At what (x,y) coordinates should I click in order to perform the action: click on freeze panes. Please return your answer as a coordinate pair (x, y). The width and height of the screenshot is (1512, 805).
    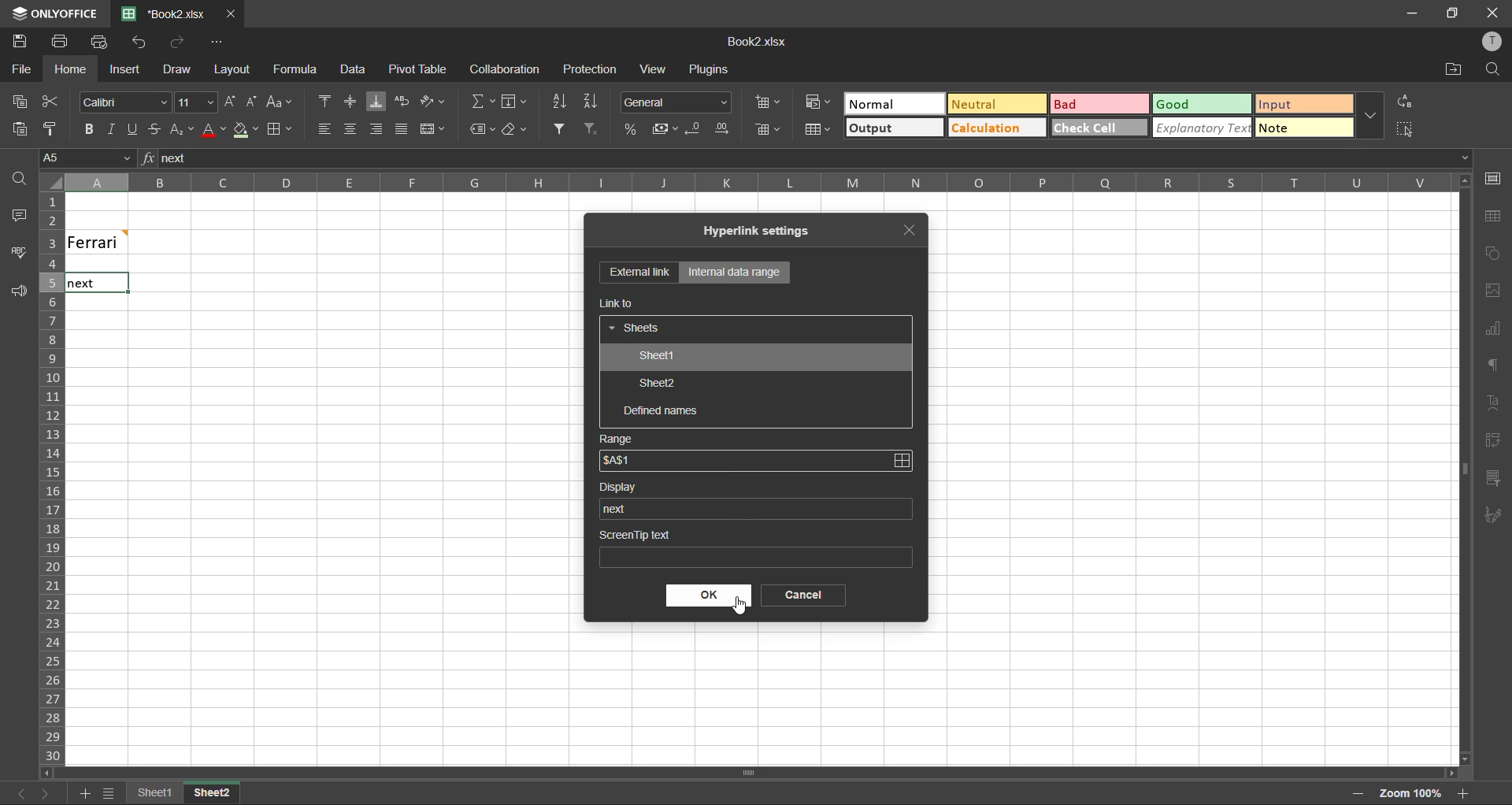
    Looking at the image, I should click on (149, 792).